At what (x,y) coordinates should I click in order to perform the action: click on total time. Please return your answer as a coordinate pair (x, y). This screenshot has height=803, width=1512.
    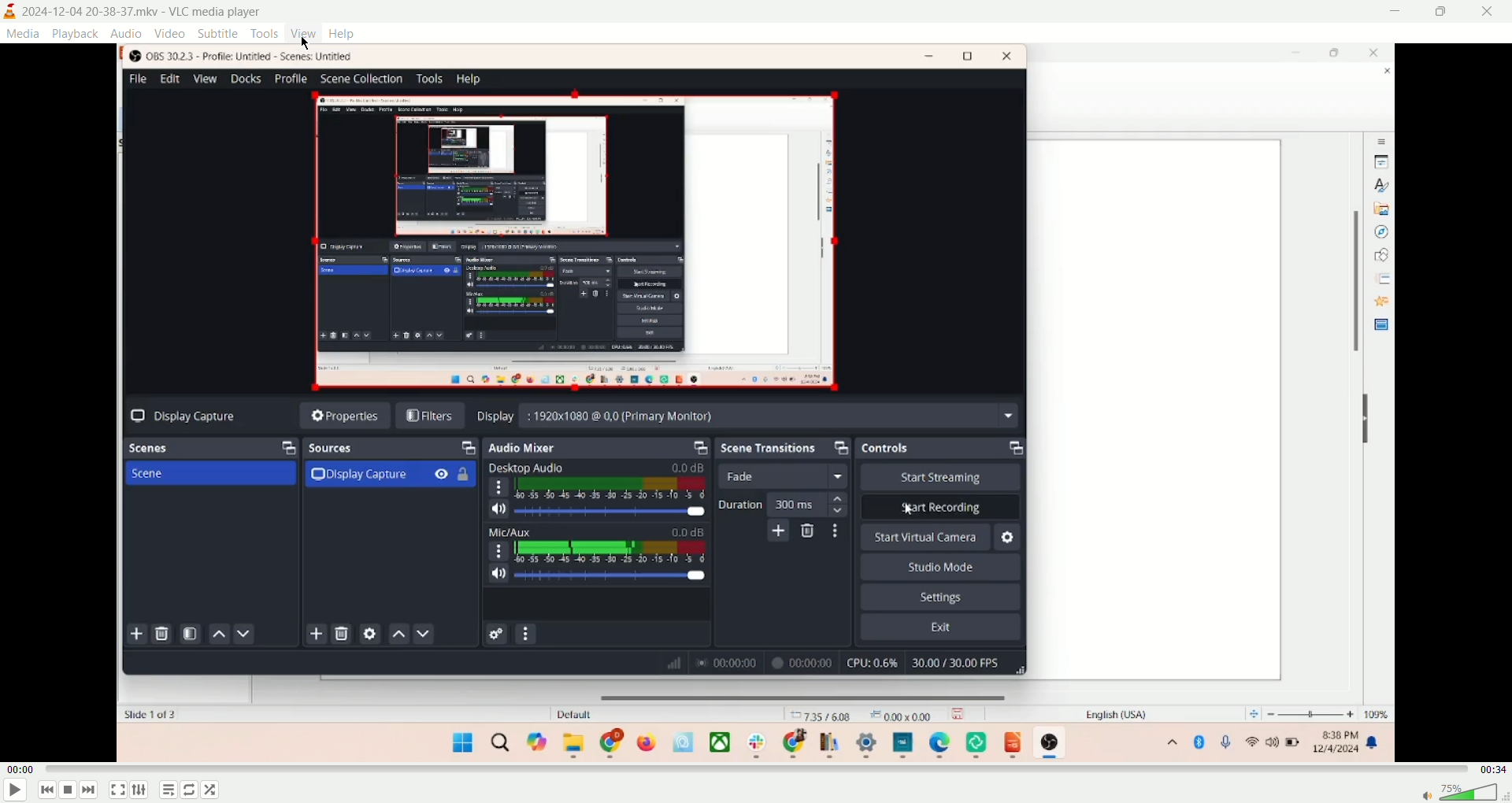
    Looking at the image, I should click on (1494, 767).